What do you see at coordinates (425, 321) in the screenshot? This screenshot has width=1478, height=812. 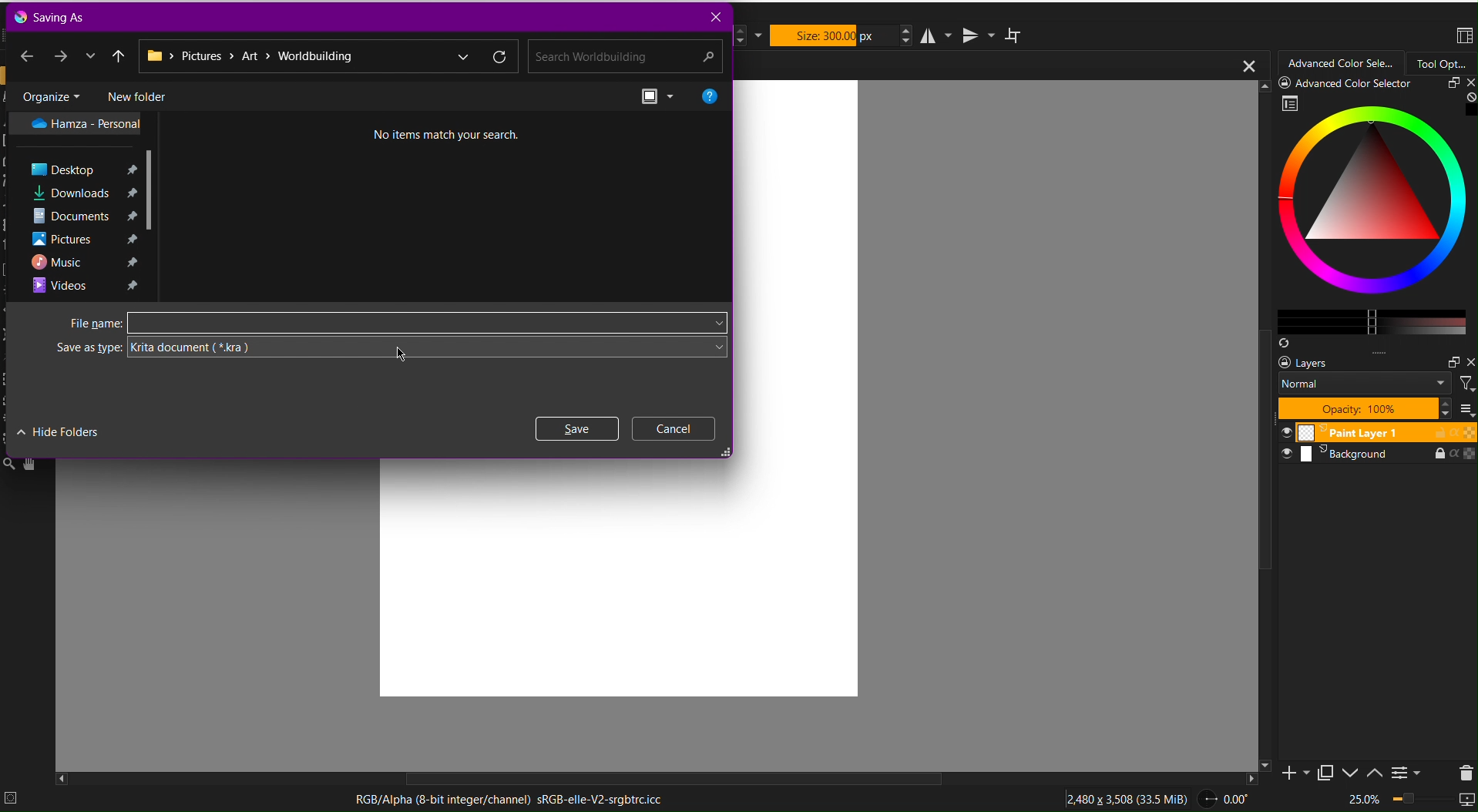 I see `File Name options` at bounding box center [425, 321].